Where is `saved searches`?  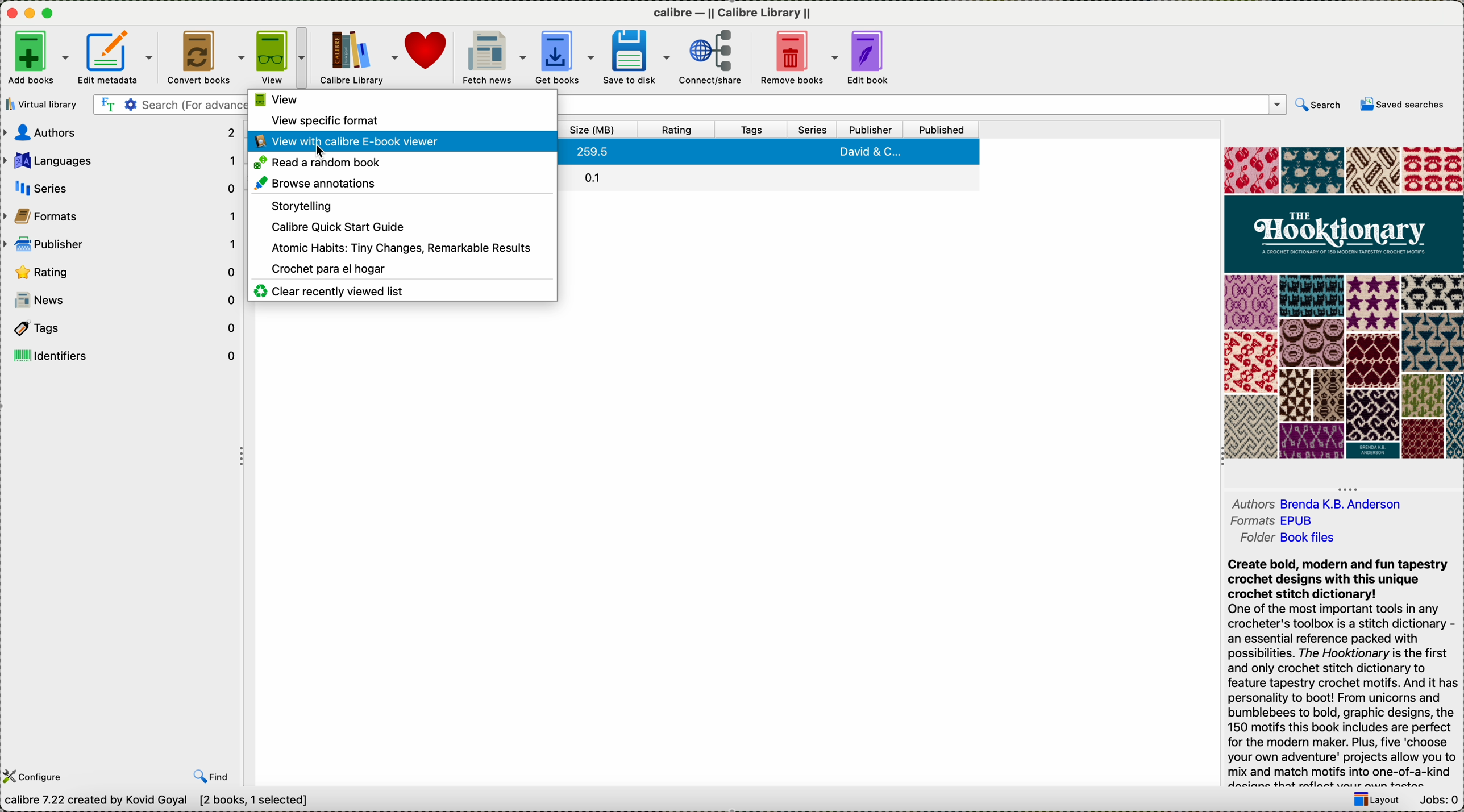 saved searches is located at coordinates (1401, 104).